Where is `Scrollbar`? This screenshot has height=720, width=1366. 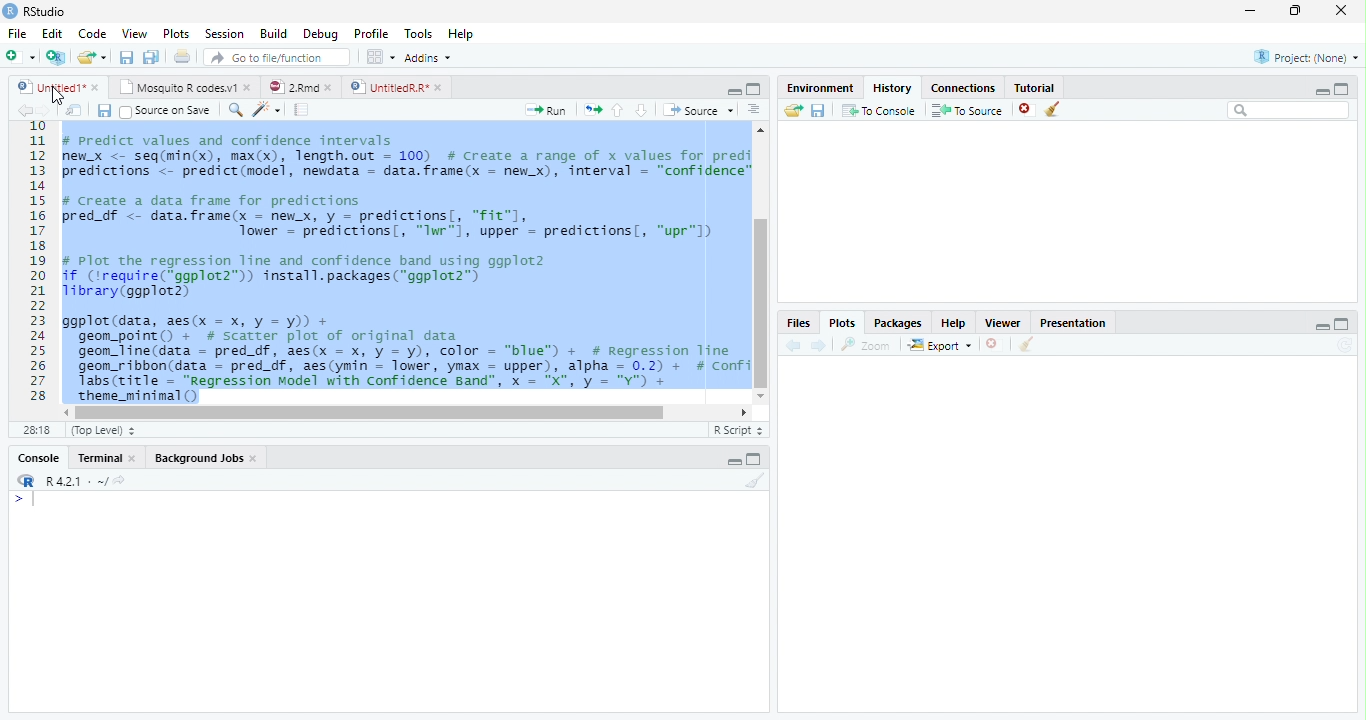
Scrollbar is located at coordinates (761, 263).